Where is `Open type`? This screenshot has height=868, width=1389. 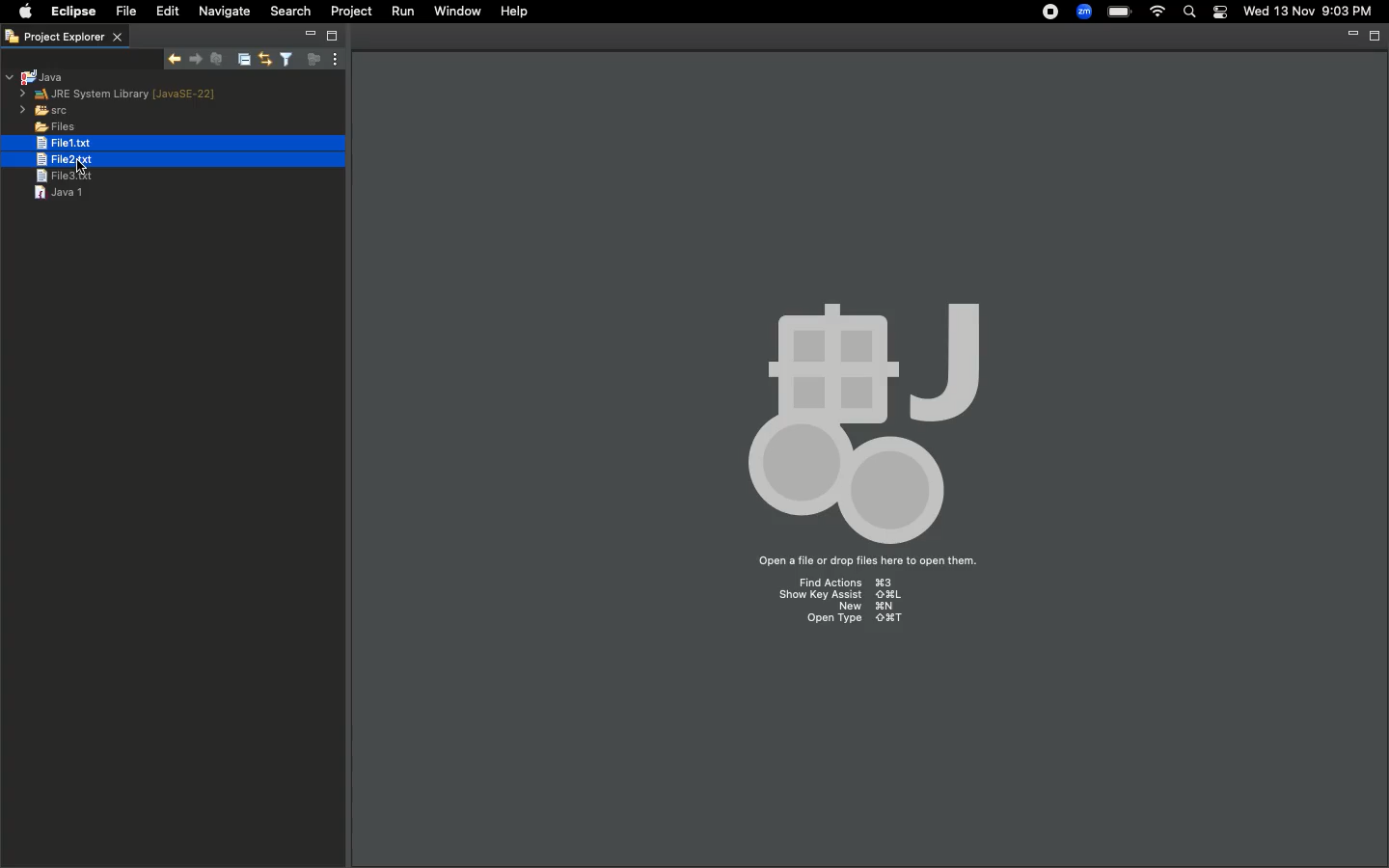
Open type is located at coordinates (848, 622).